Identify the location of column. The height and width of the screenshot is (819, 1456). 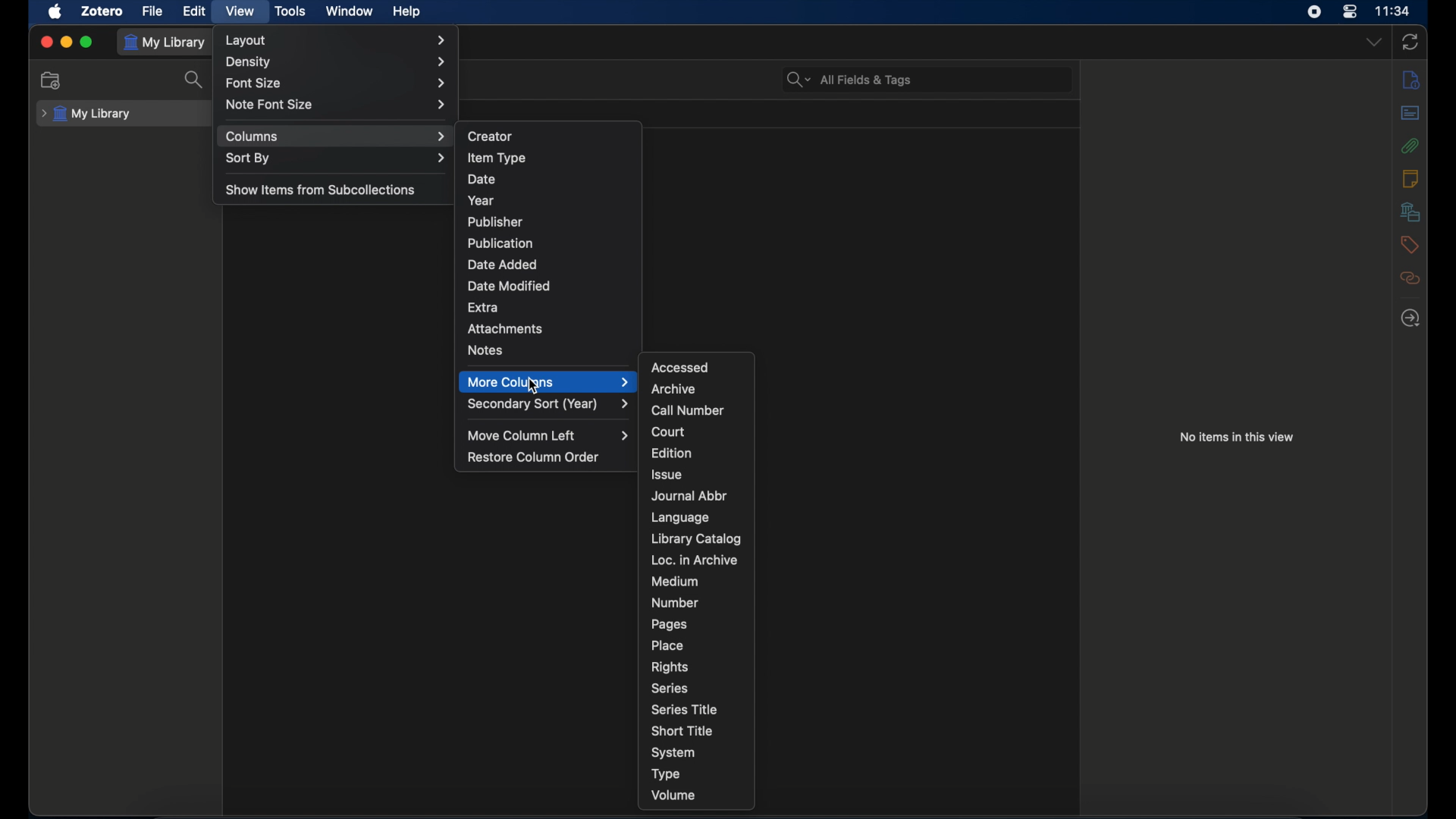
(336, 136).